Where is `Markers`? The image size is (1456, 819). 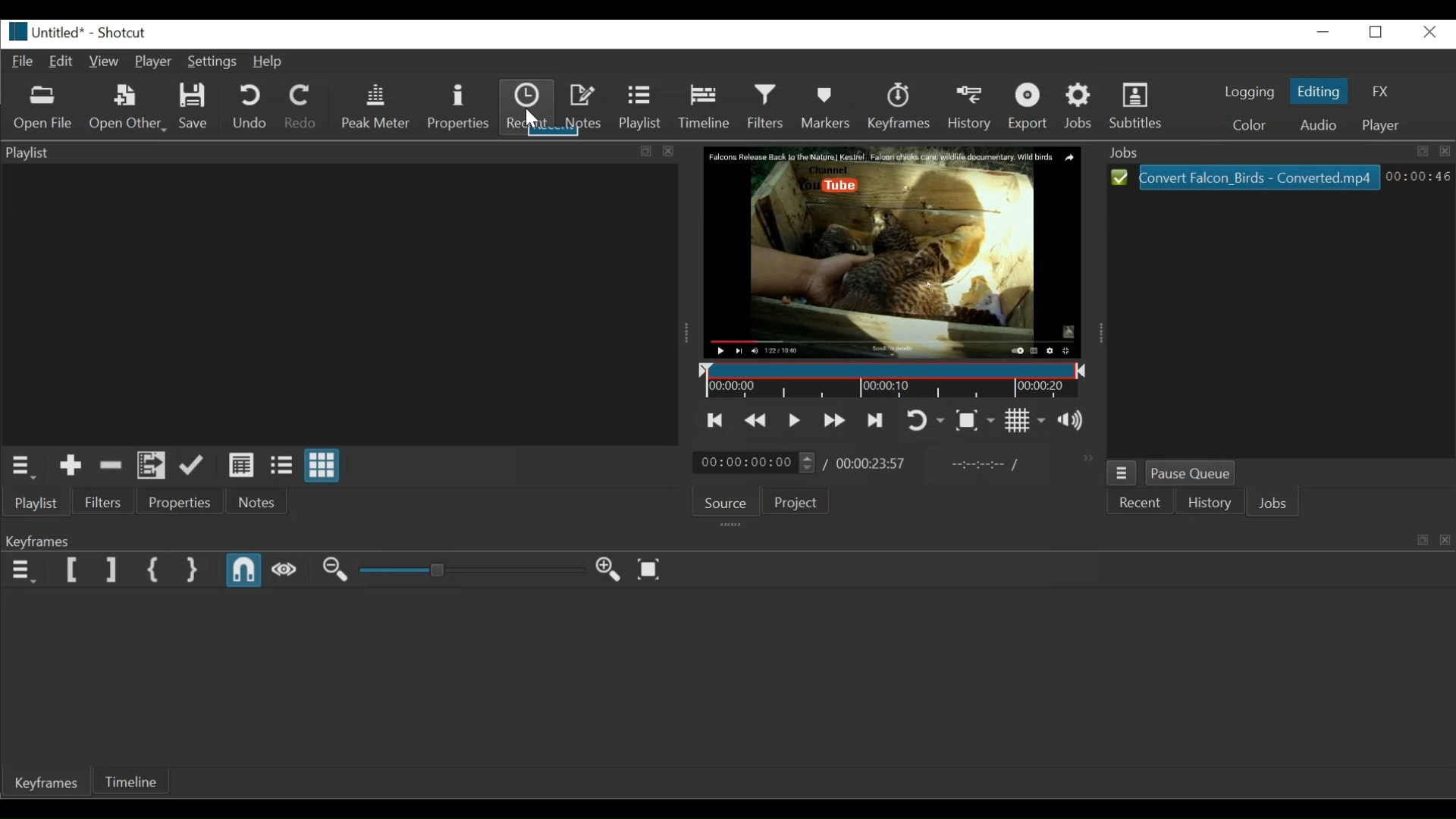 Markers is located at coordinates (826, 106).